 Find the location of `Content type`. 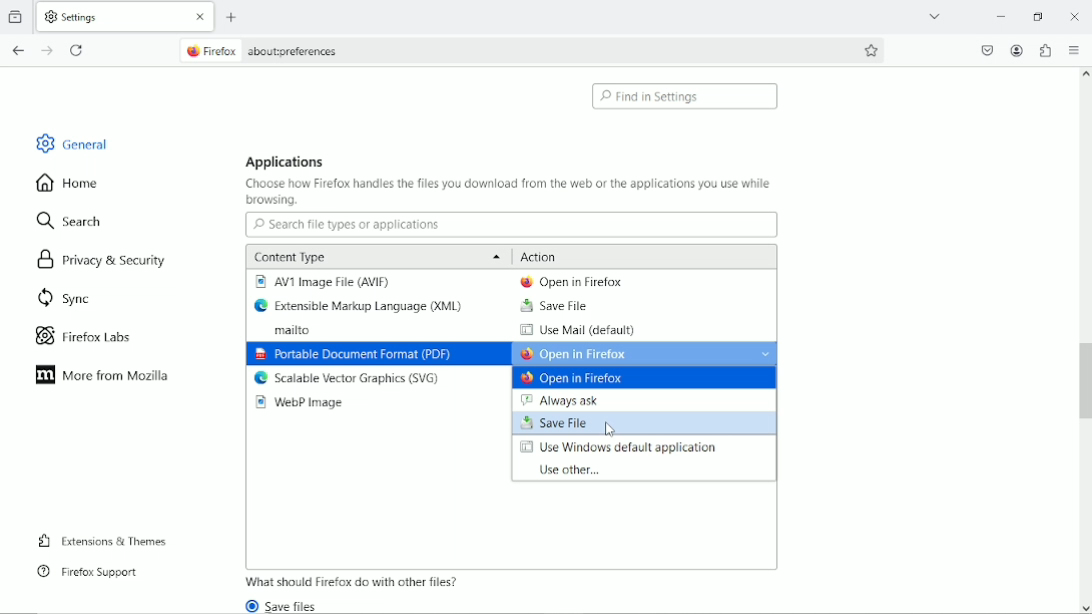

Content type is located at coordinates (374, 256).